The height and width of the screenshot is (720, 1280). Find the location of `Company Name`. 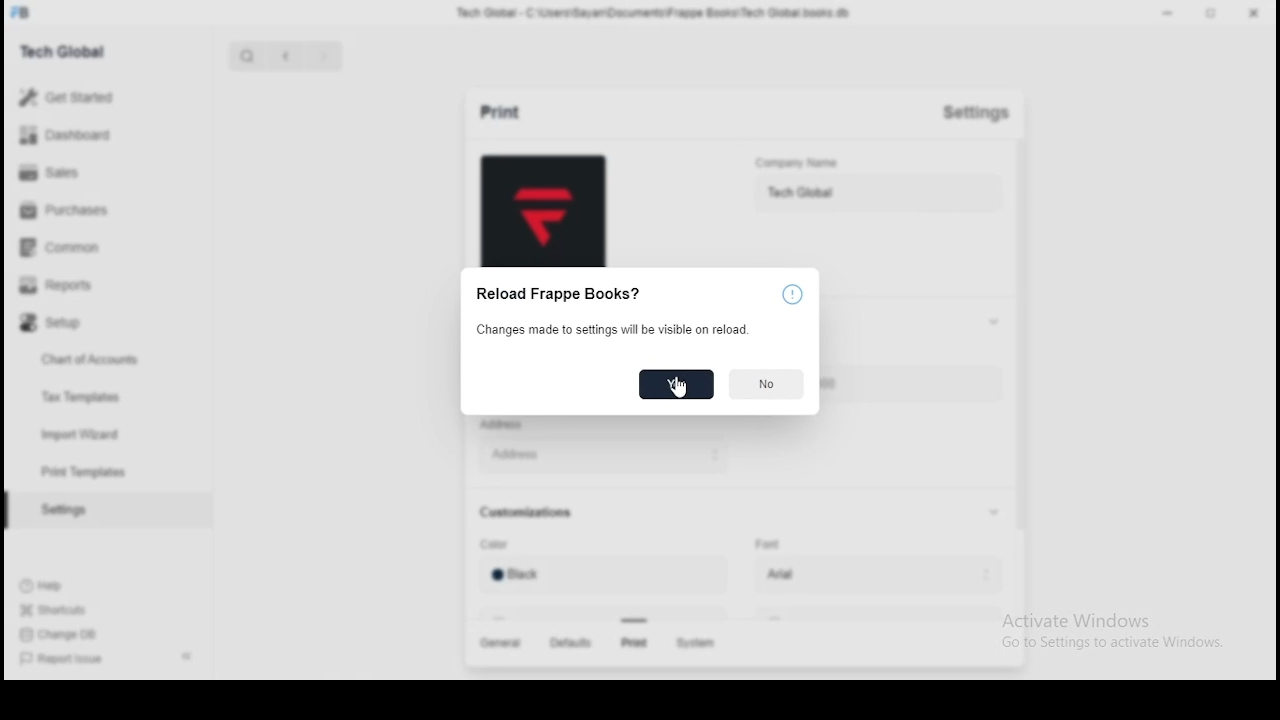

Company Name is located at coordinates (828, 163).